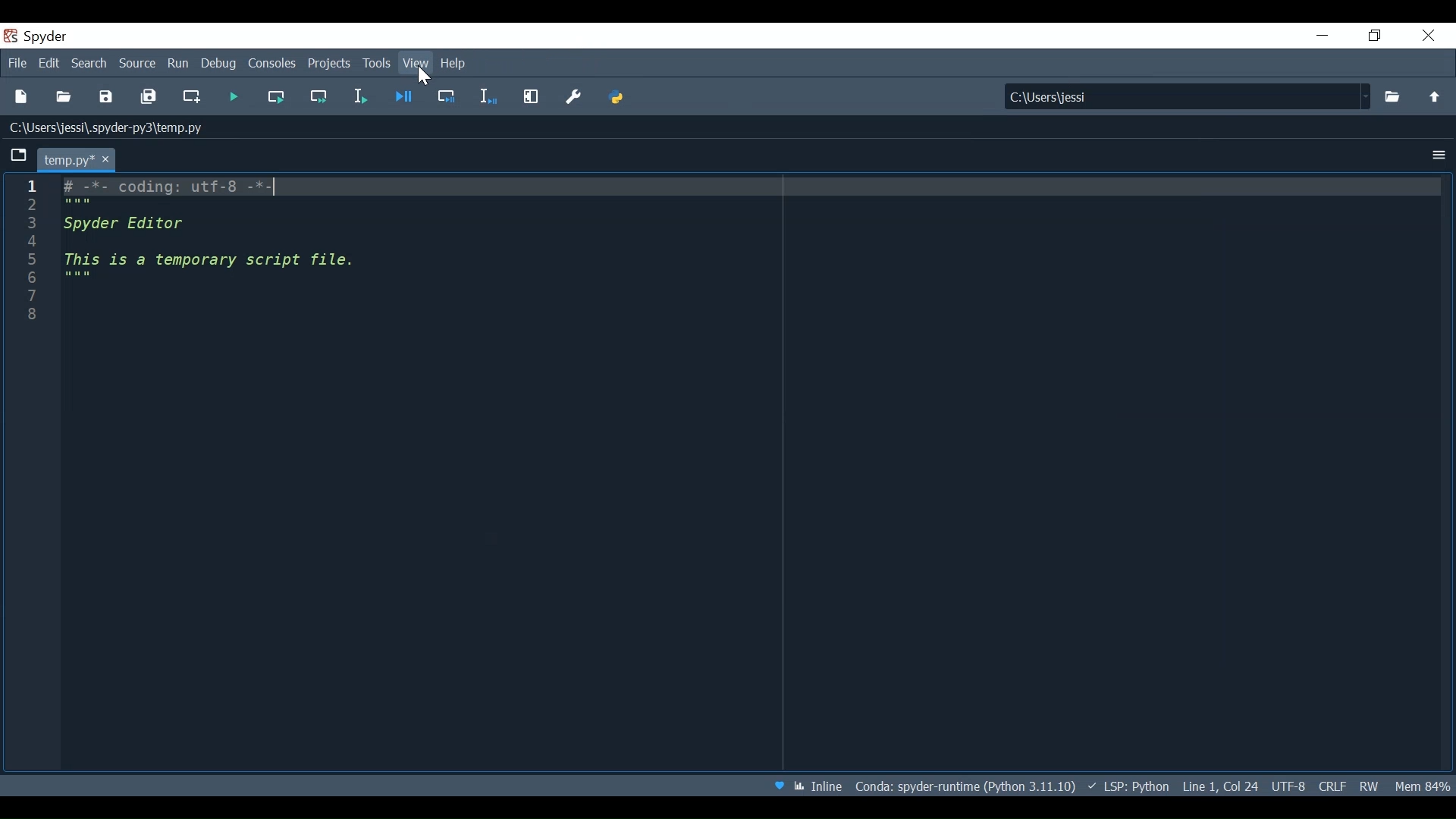 This screenshot has width=1456, height=819. Describe the element at coordinates (49, 63) in the screenshot. I see `Edit` at that location.